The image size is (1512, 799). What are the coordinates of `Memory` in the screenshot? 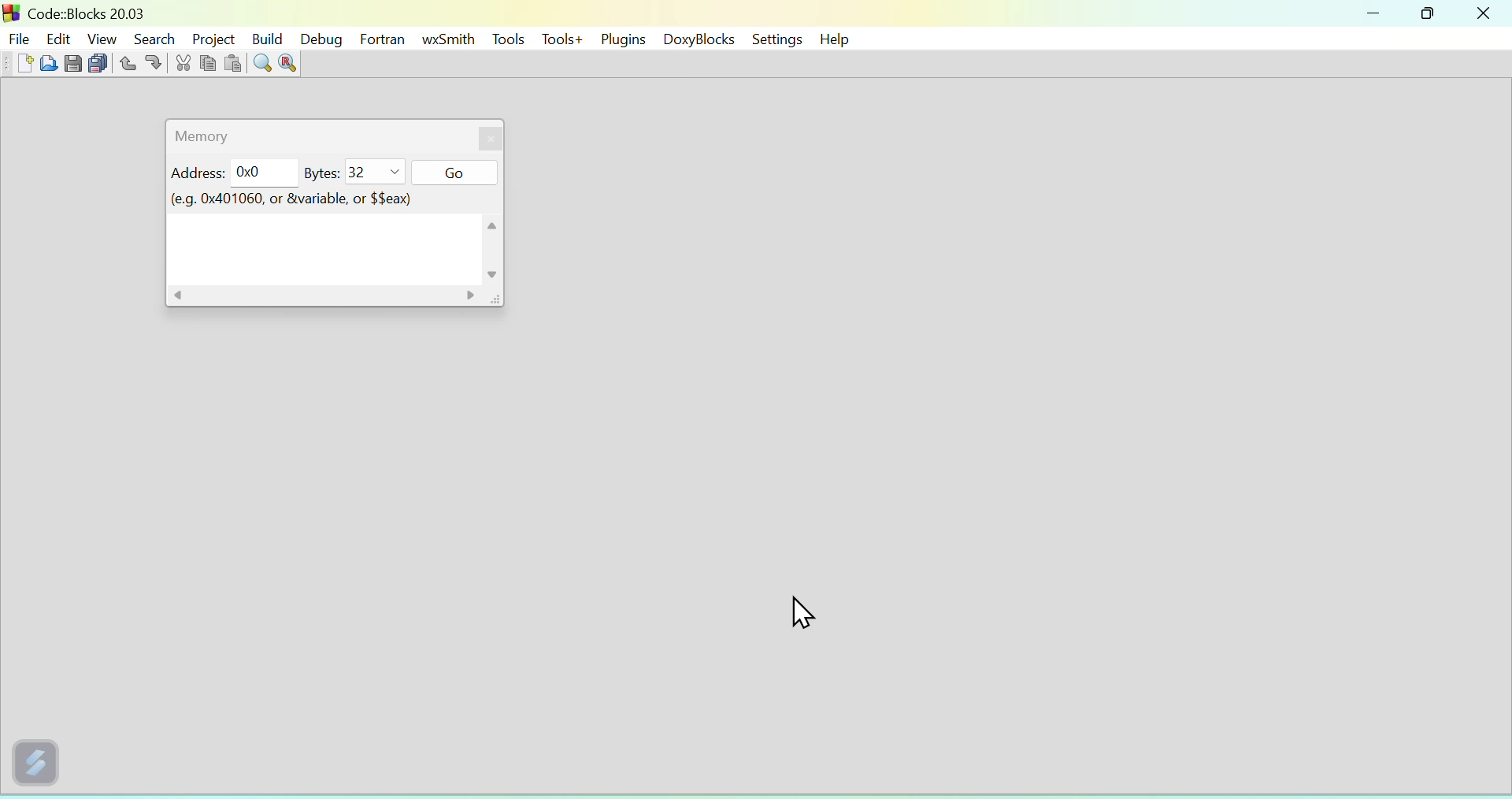 It's located at (206, 136).